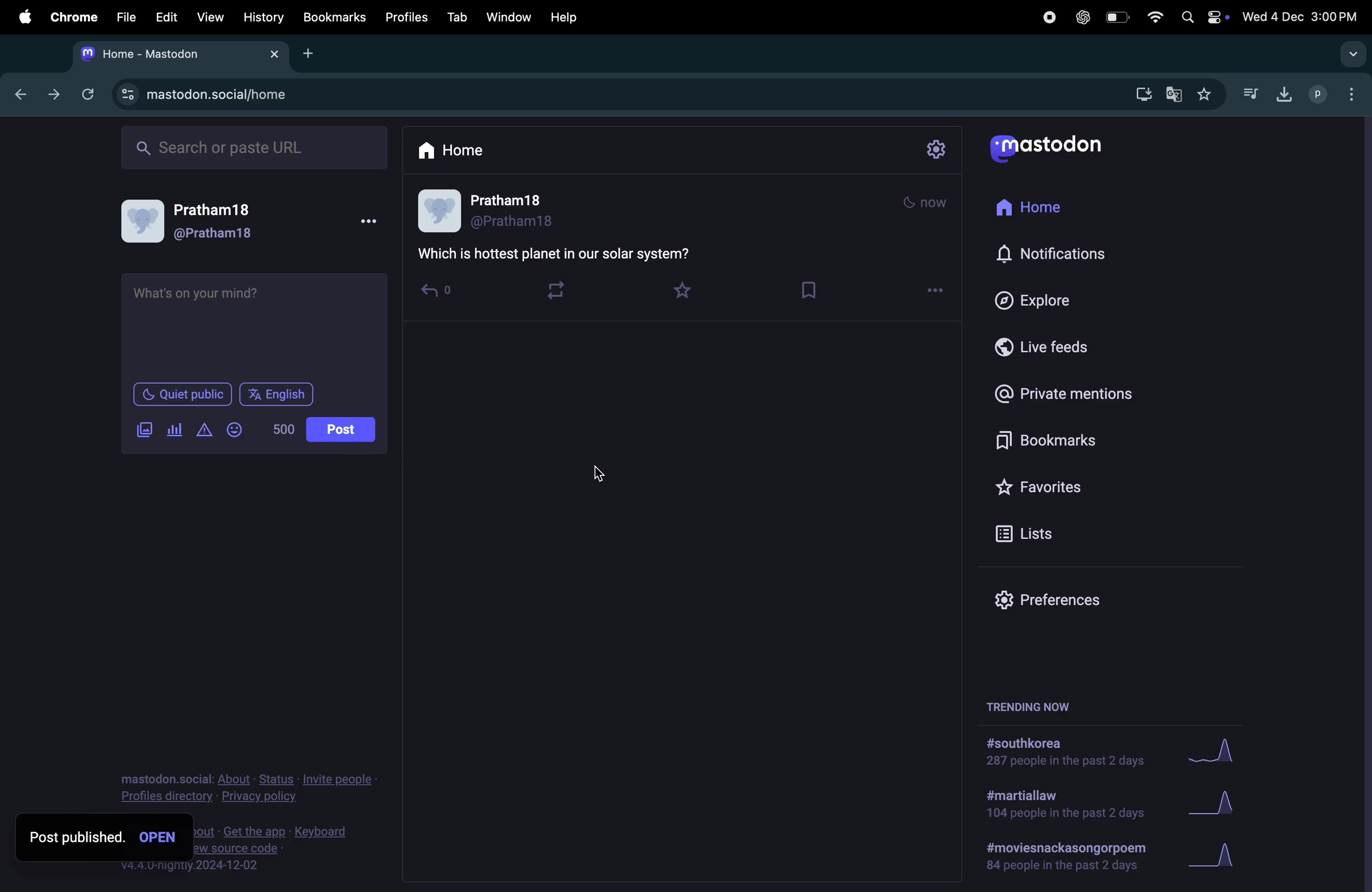  Describe the element at coordinates (1282, 95) in the screenshot. I see `downloads` at that location.